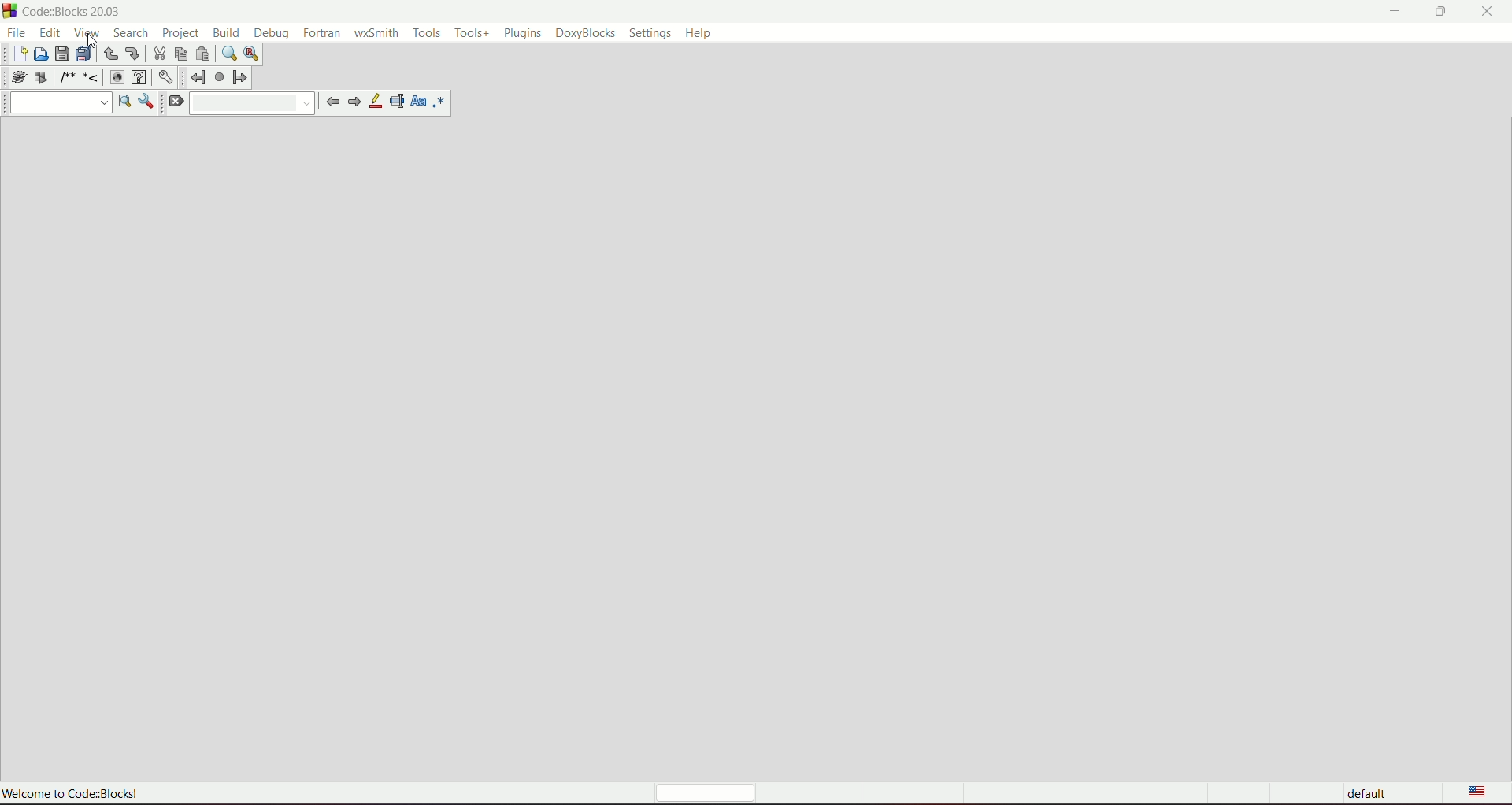  I want to click on last lump, so click(220, 77).